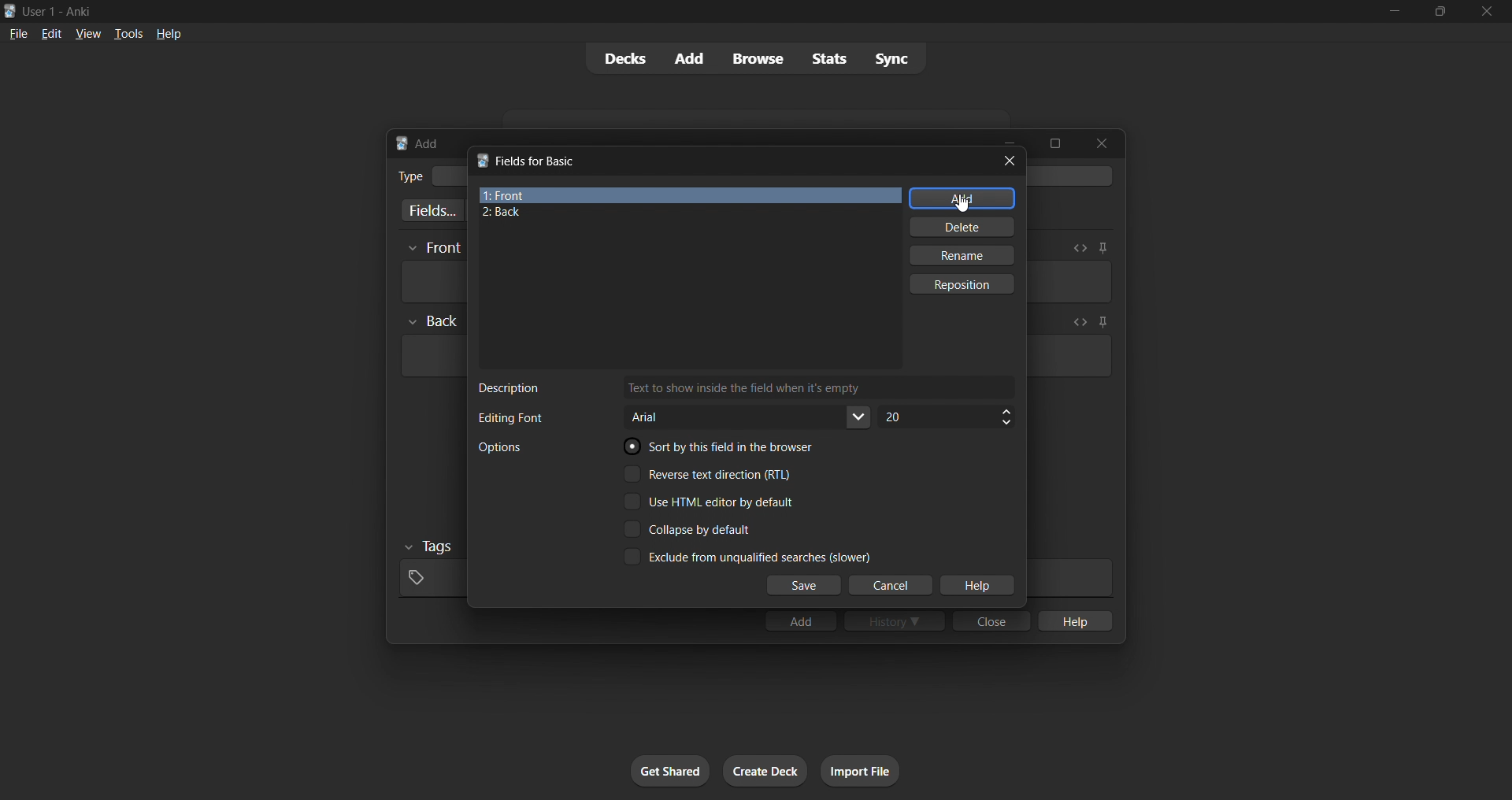  Describe the element at coordinates (1054, 143) in the screenshot. I see `maximize` at that location.